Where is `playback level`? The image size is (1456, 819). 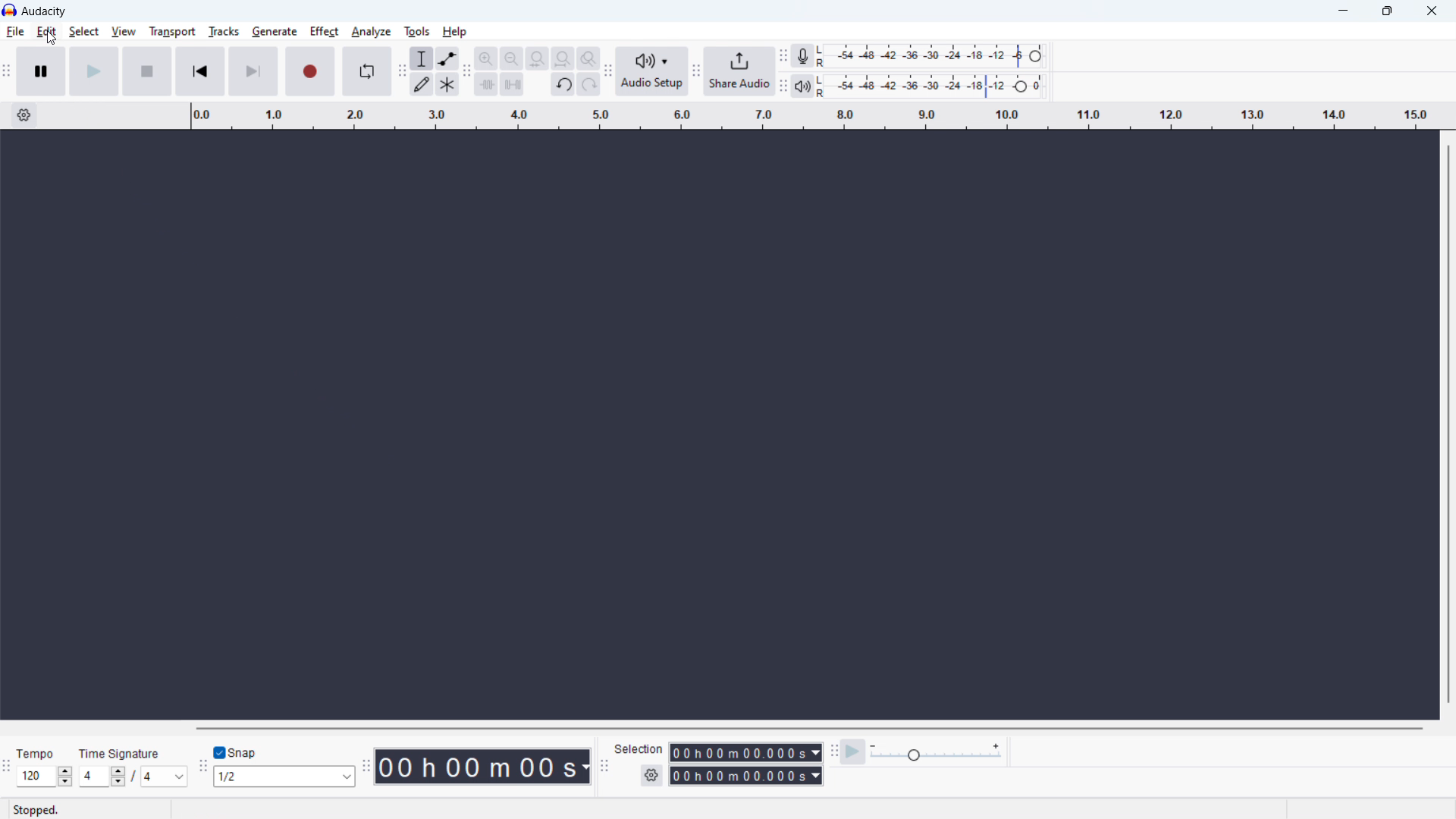
playback level is located at coordinates (935, 85).